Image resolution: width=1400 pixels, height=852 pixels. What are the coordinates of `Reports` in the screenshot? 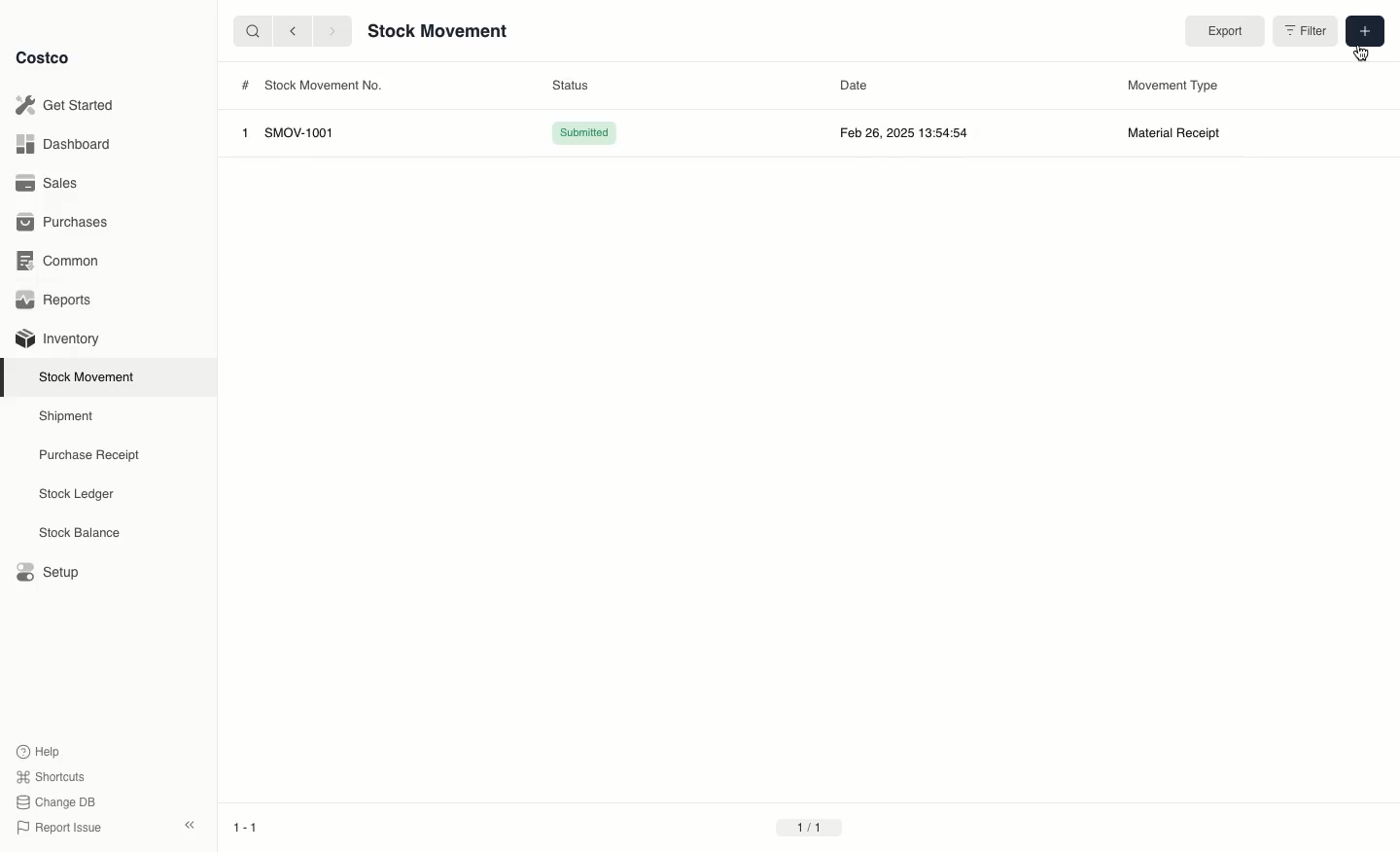 It's located at (58, 300).